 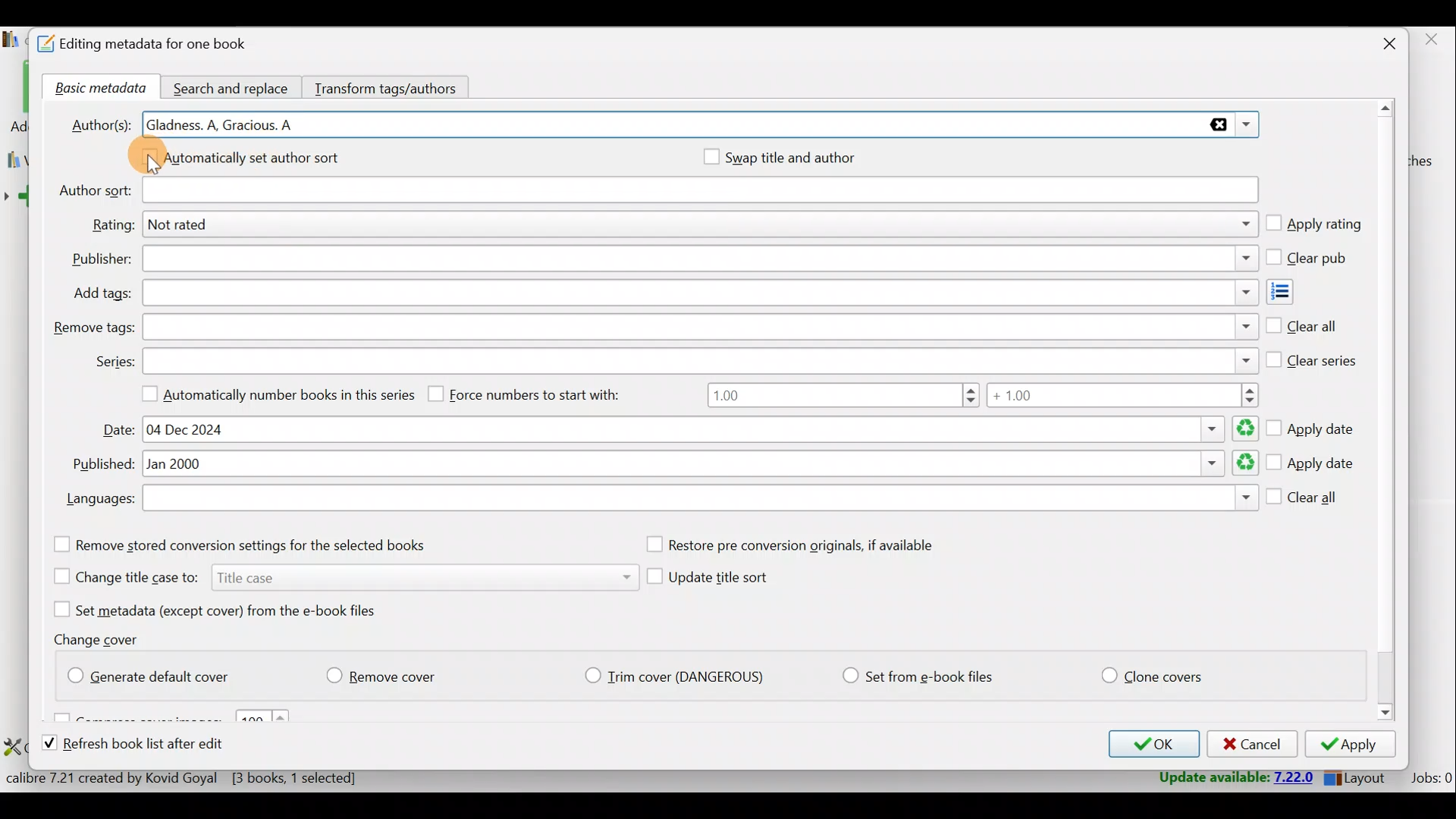 I want to click on Trim cover (Dangerious), so click(x=679, y=678).